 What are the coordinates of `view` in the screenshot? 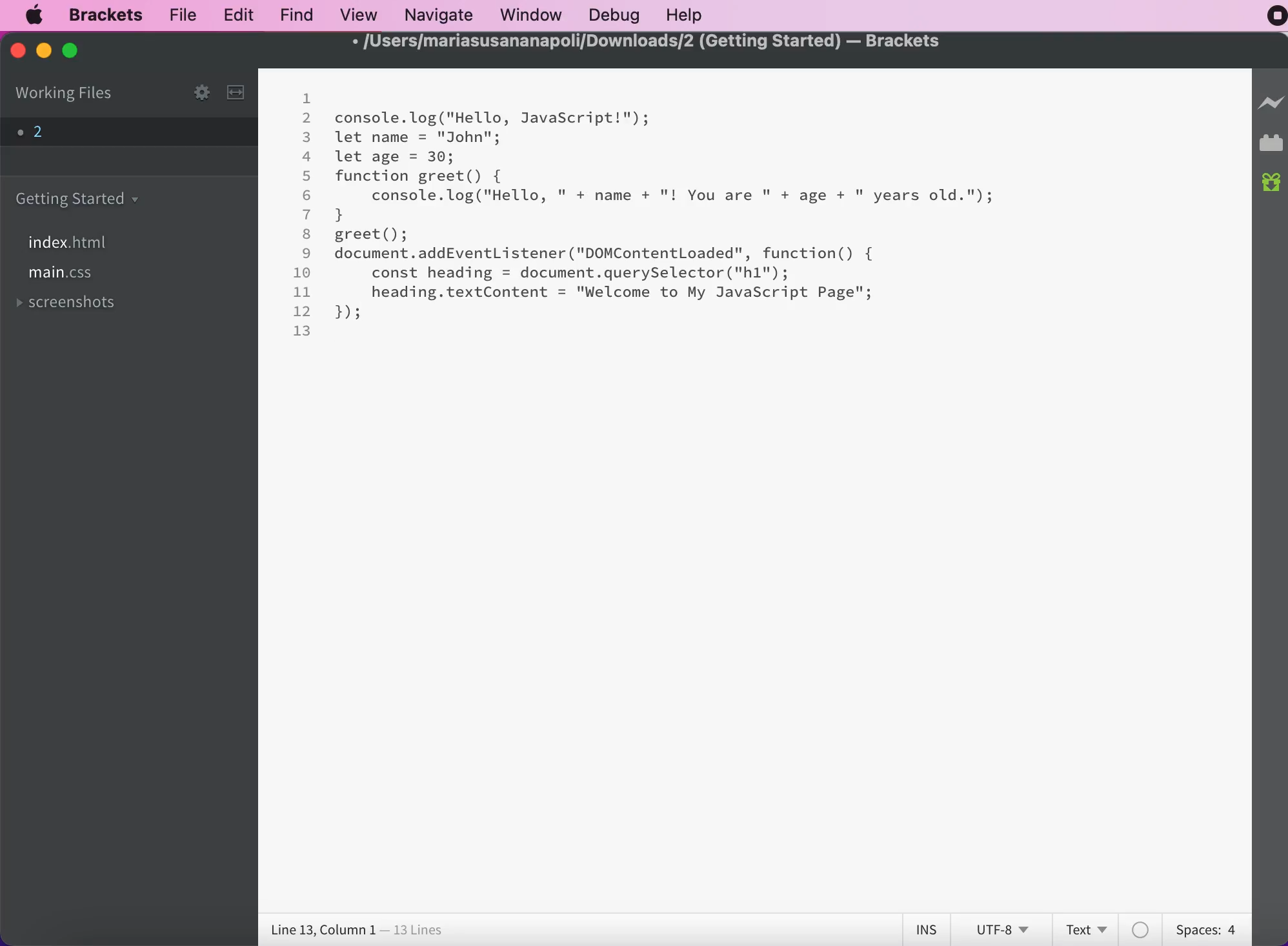 It's located at (357, 14).